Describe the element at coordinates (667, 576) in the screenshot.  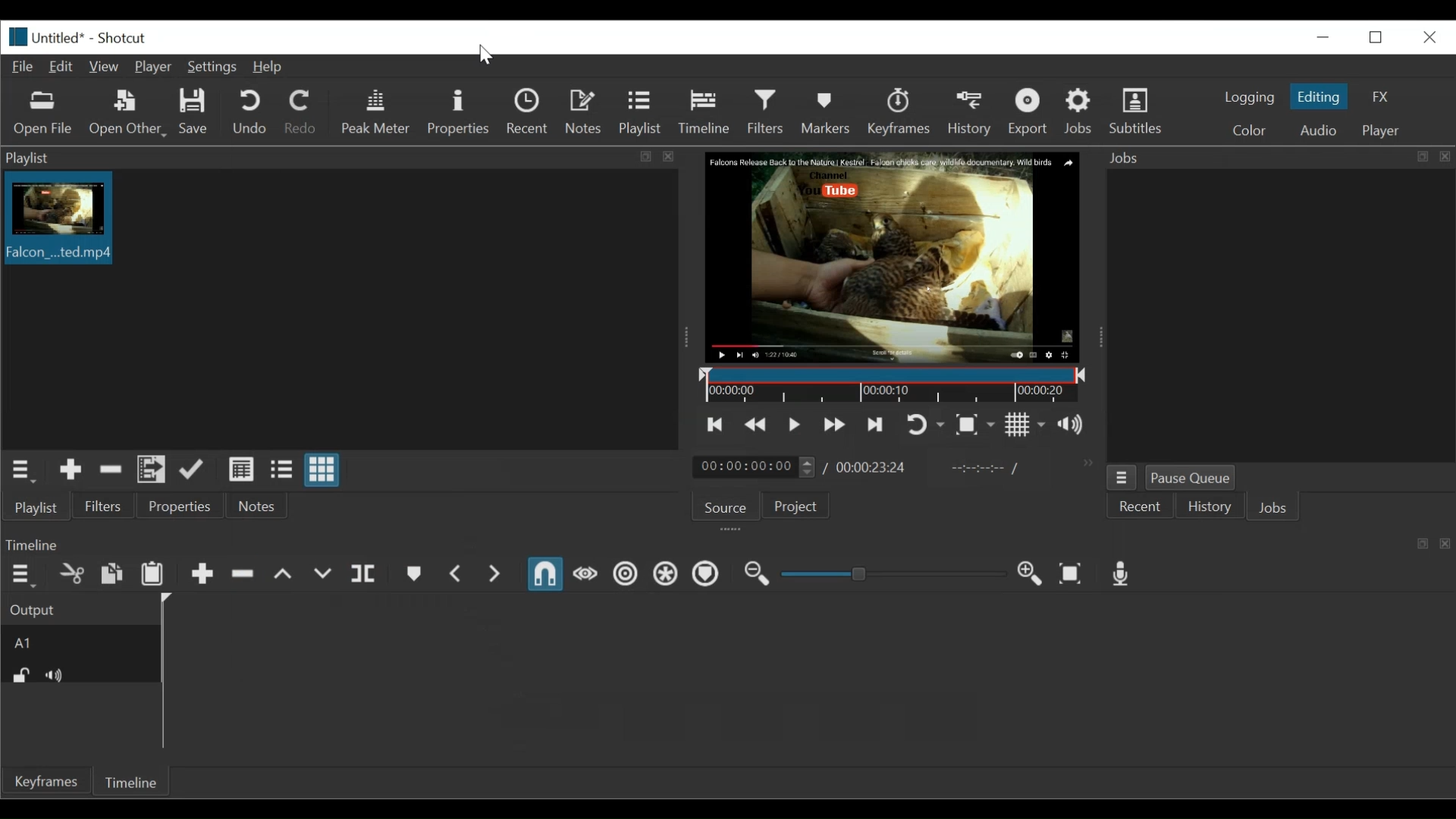
I see `Ripple all tracks` at that location.